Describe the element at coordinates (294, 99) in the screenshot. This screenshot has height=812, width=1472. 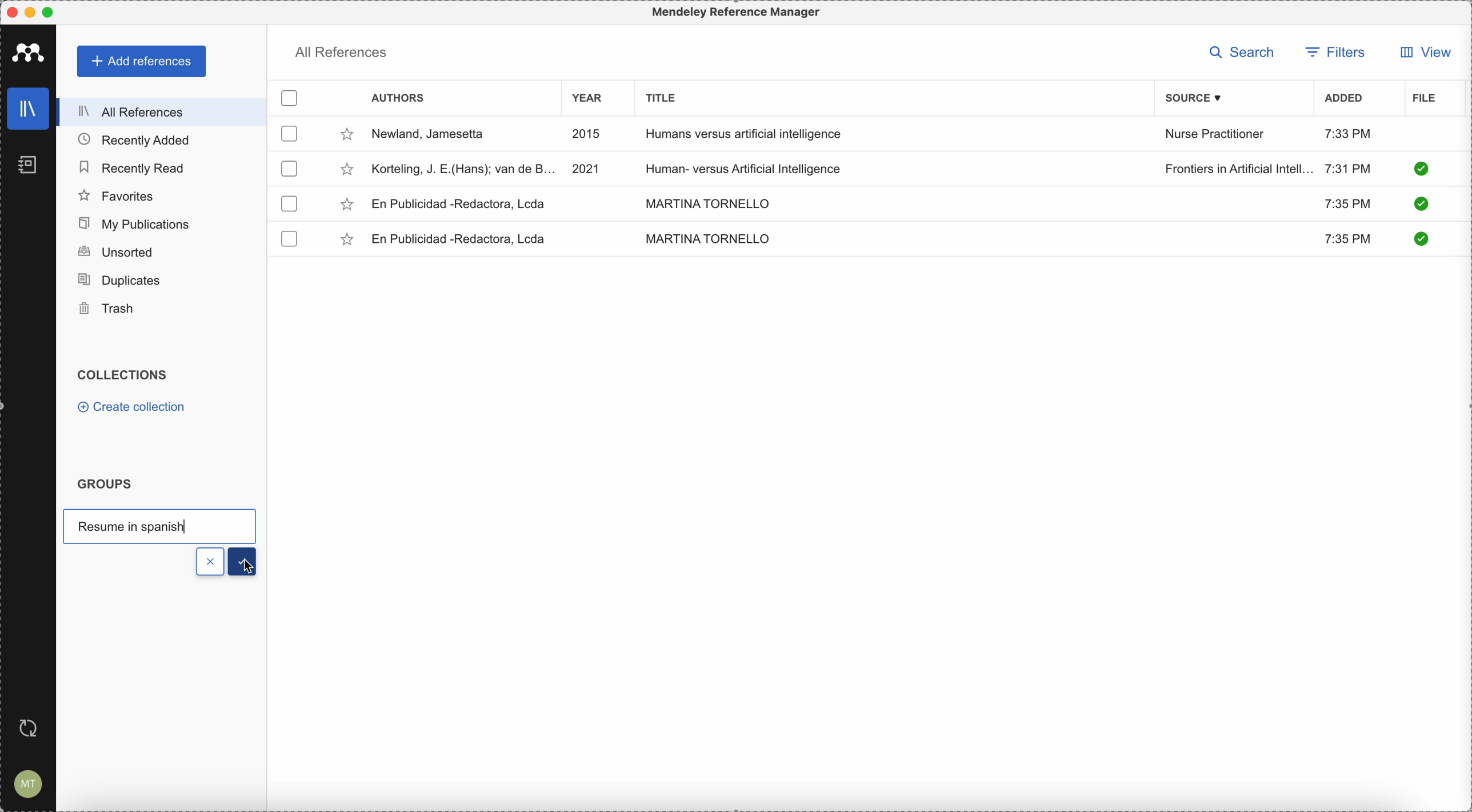
I see `checkbox` at that location.